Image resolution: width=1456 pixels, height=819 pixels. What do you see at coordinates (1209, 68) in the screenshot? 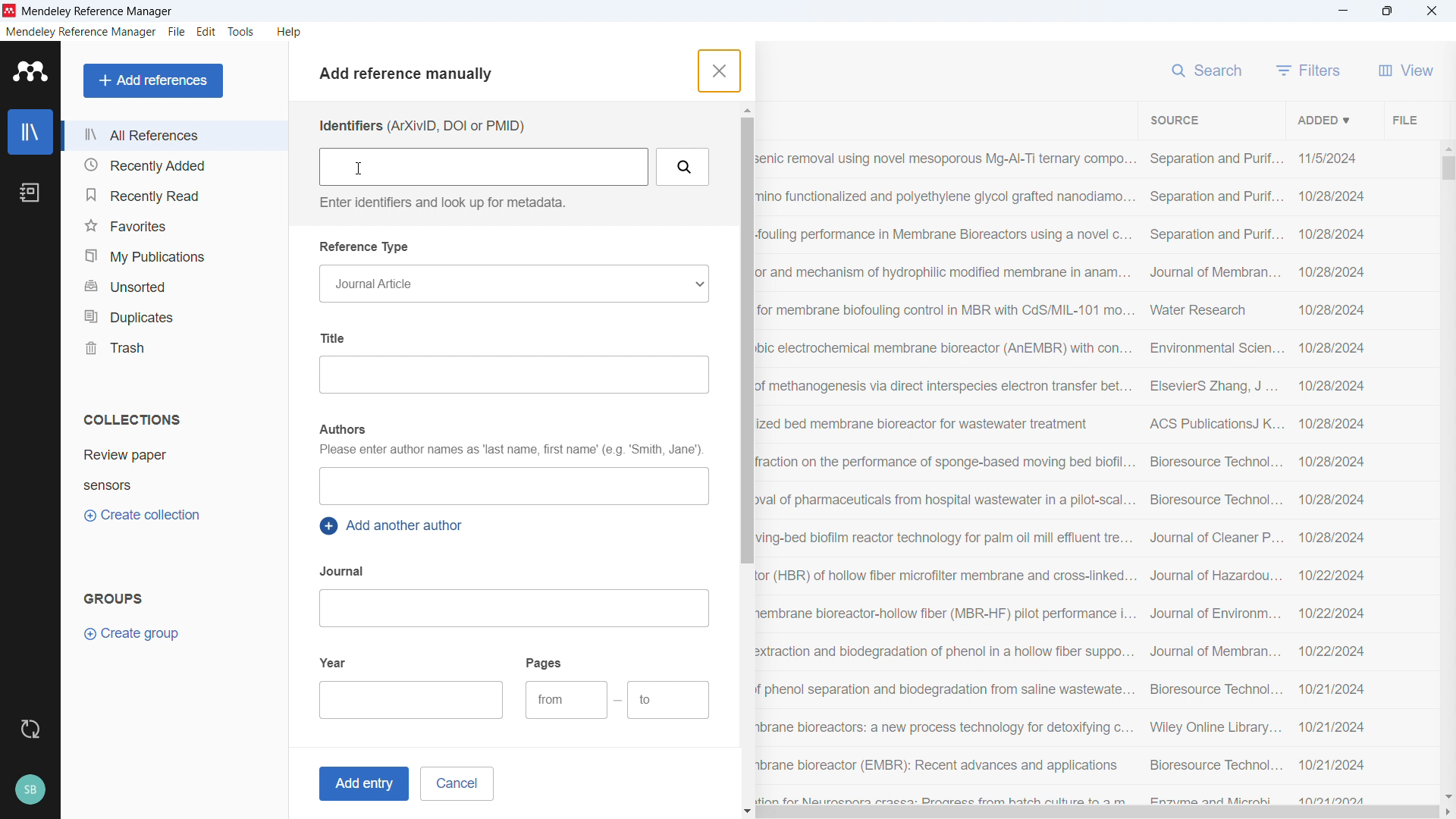
I see `search ` at bounding box center [1209, 68].